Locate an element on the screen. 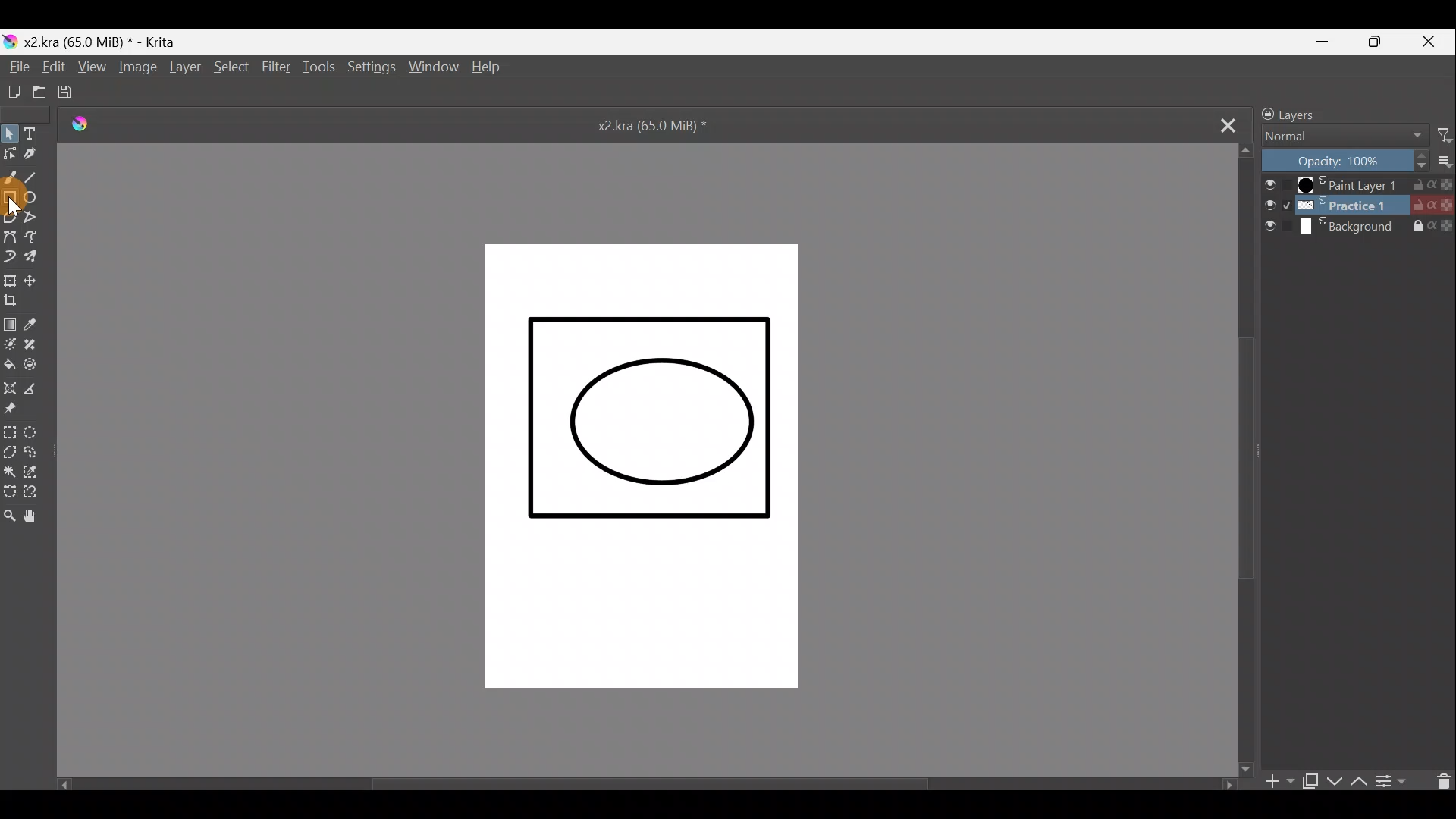  Lock/unlock docker is located at coordinates (1261, 111).